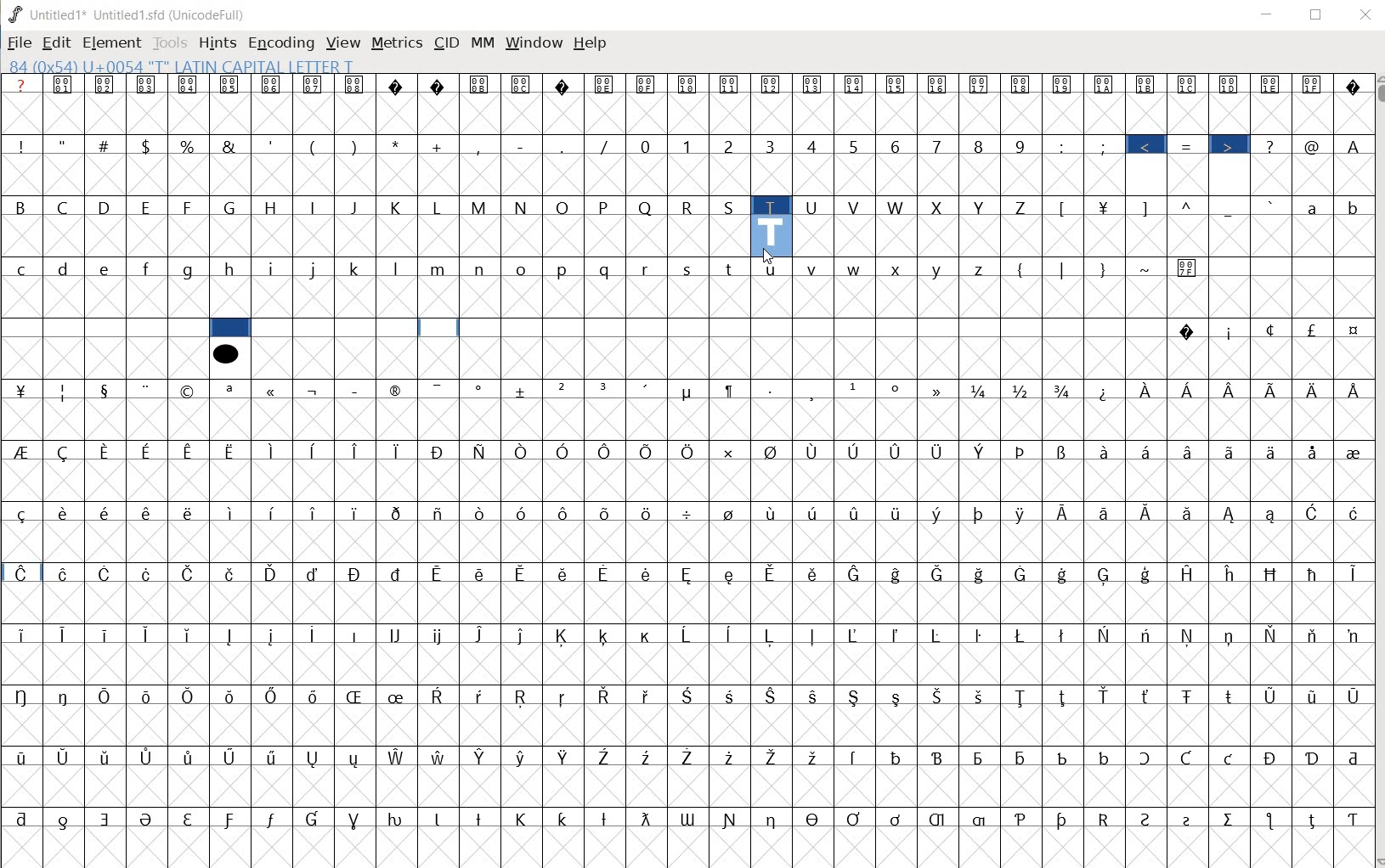  I want to click on Symbol, so click(357, 818).